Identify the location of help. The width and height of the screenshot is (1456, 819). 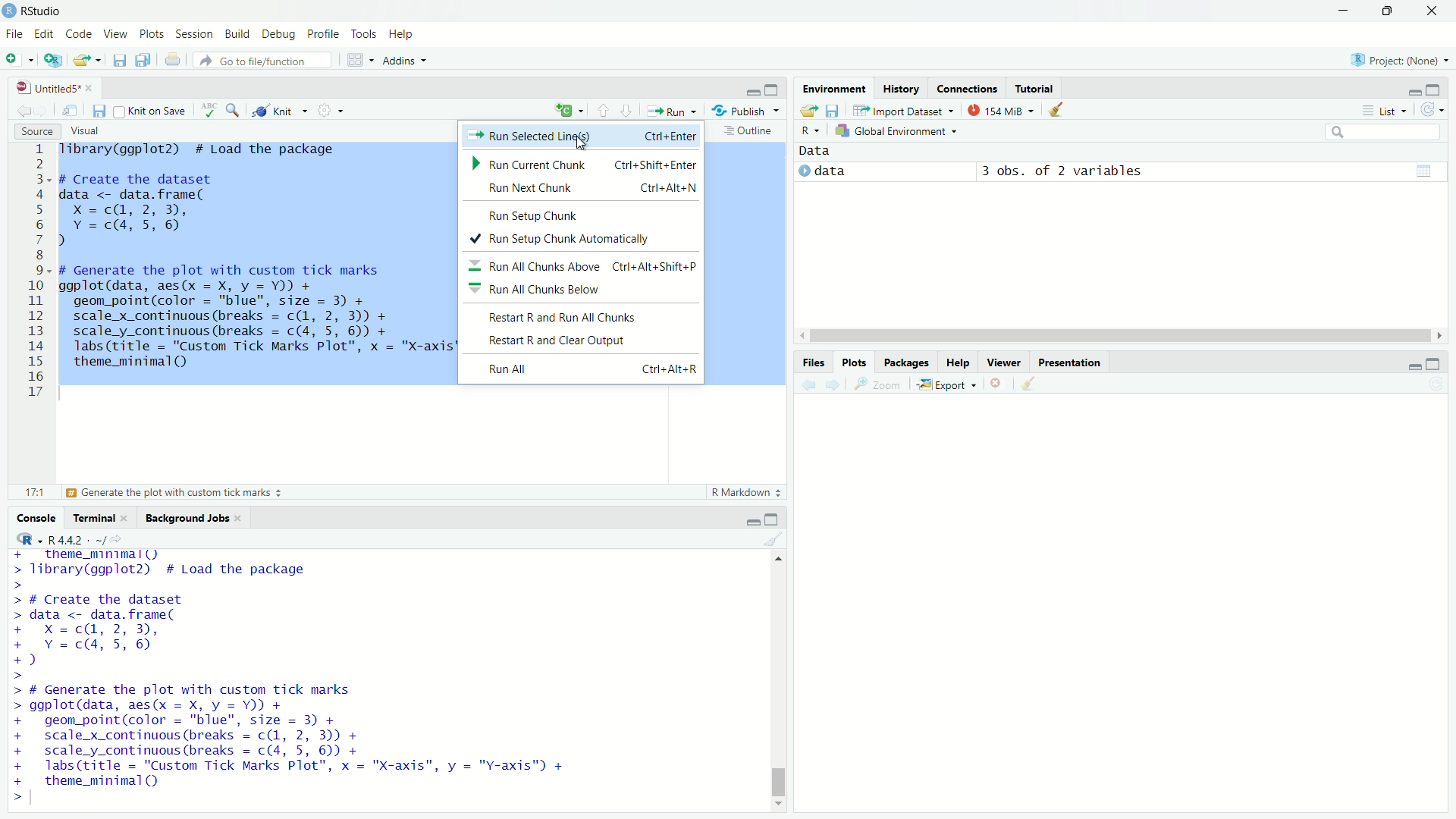
(959, 361).